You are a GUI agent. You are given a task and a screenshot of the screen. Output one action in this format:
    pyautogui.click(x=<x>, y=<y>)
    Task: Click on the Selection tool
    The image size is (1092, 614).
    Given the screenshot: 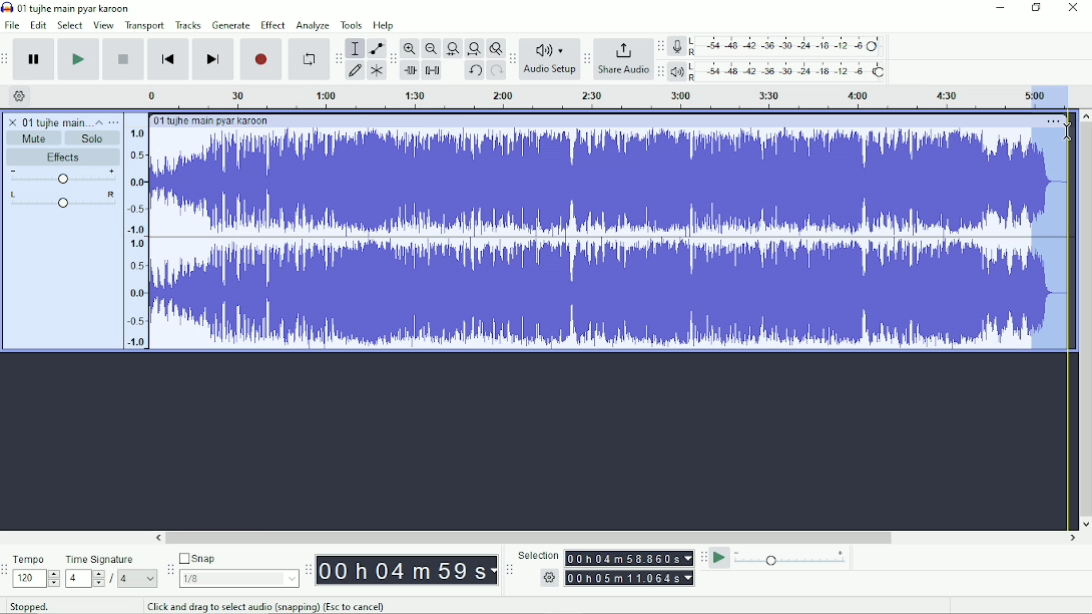 What is the action you would take?
    pyautogui.click(x=355, y=48)
    